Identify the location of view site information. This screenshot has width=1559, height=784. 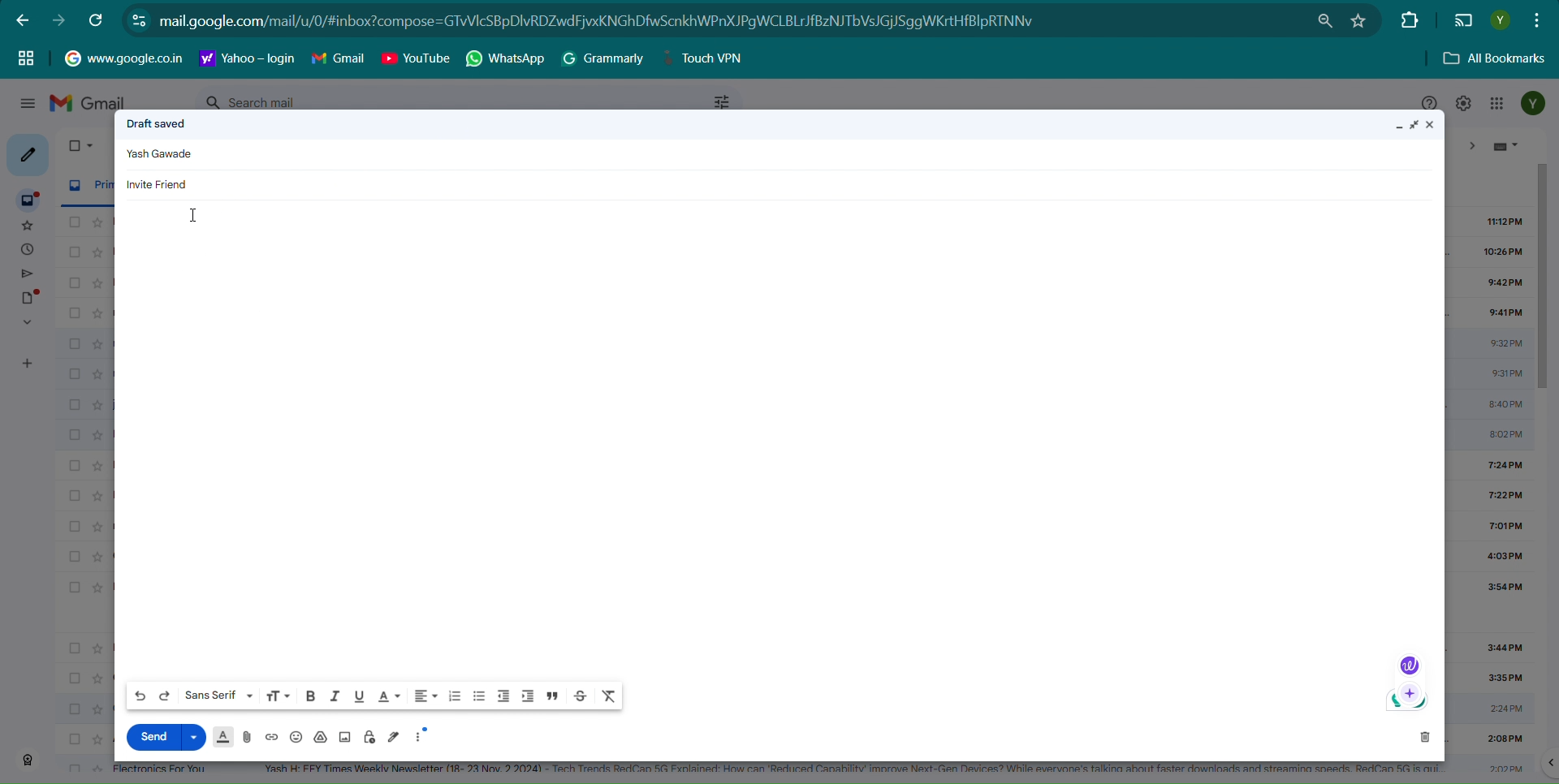
(139, 19).